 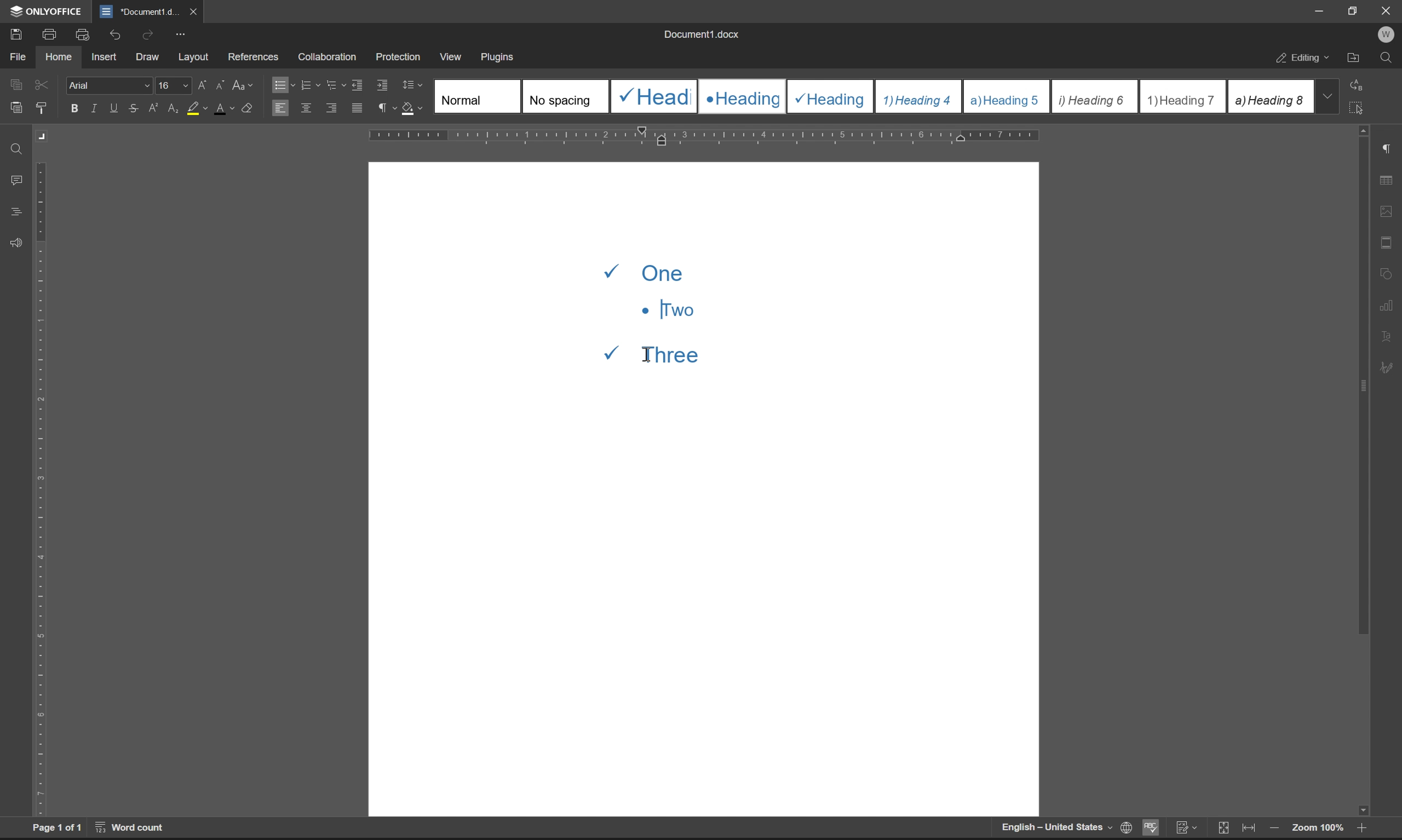 I want to click on Cursor, so click(x=649, y=354).